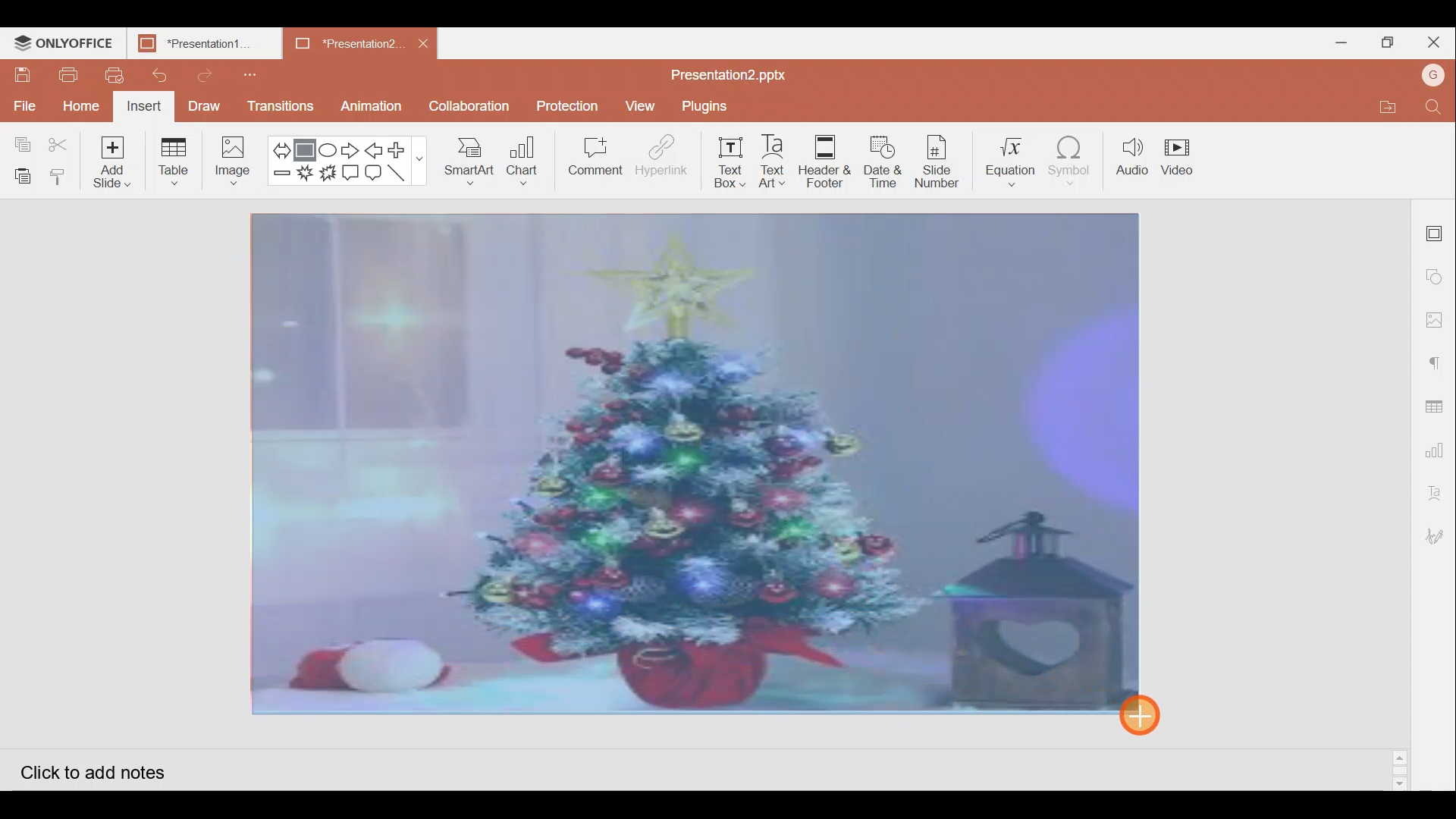  Describe the element at coordinates (470, 106) in the screenshot. I see `Collaboration` at that location.